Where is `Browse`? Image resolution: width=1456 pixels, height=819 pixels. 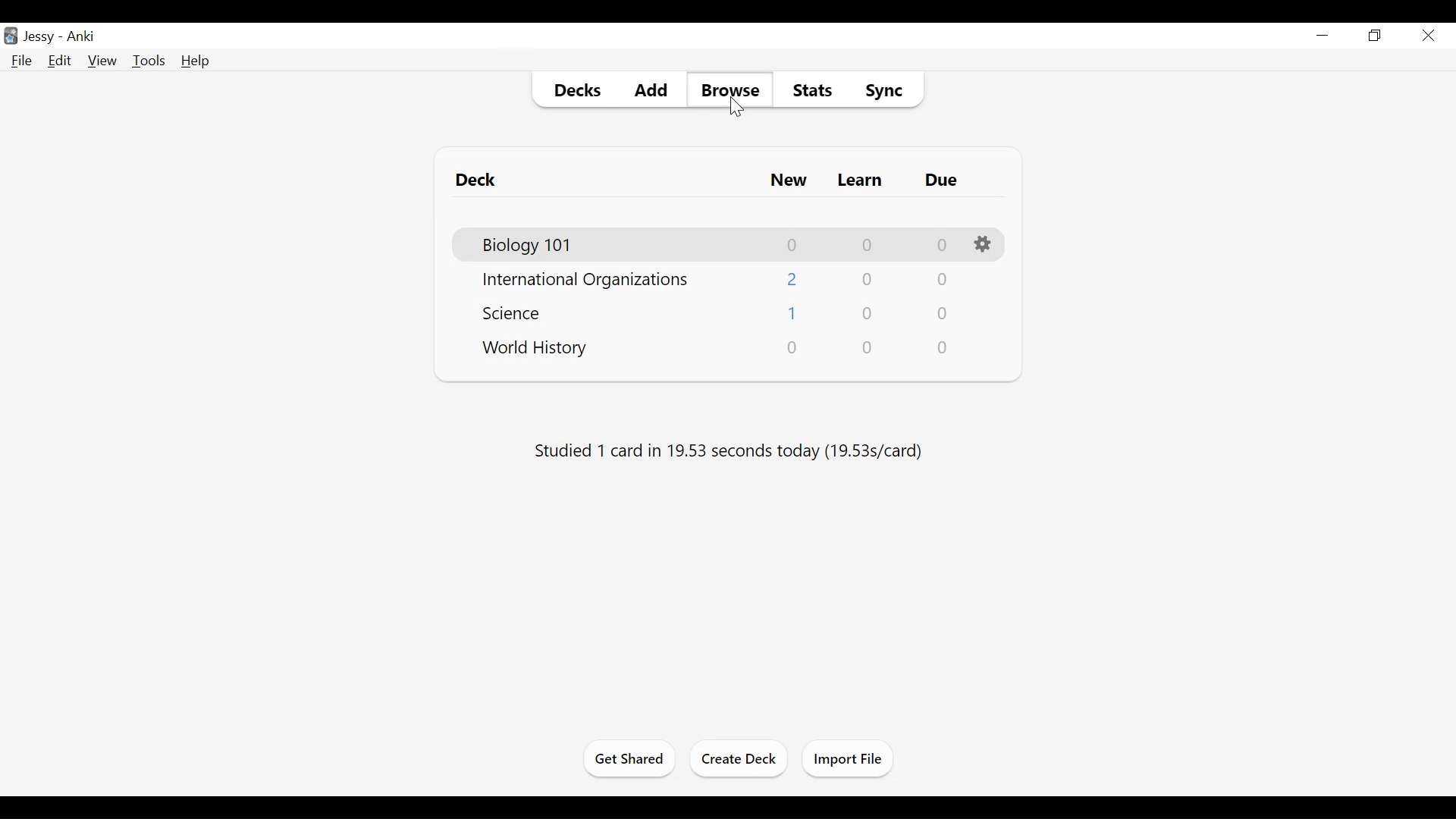 Browse is located at coordinates (730, 89).